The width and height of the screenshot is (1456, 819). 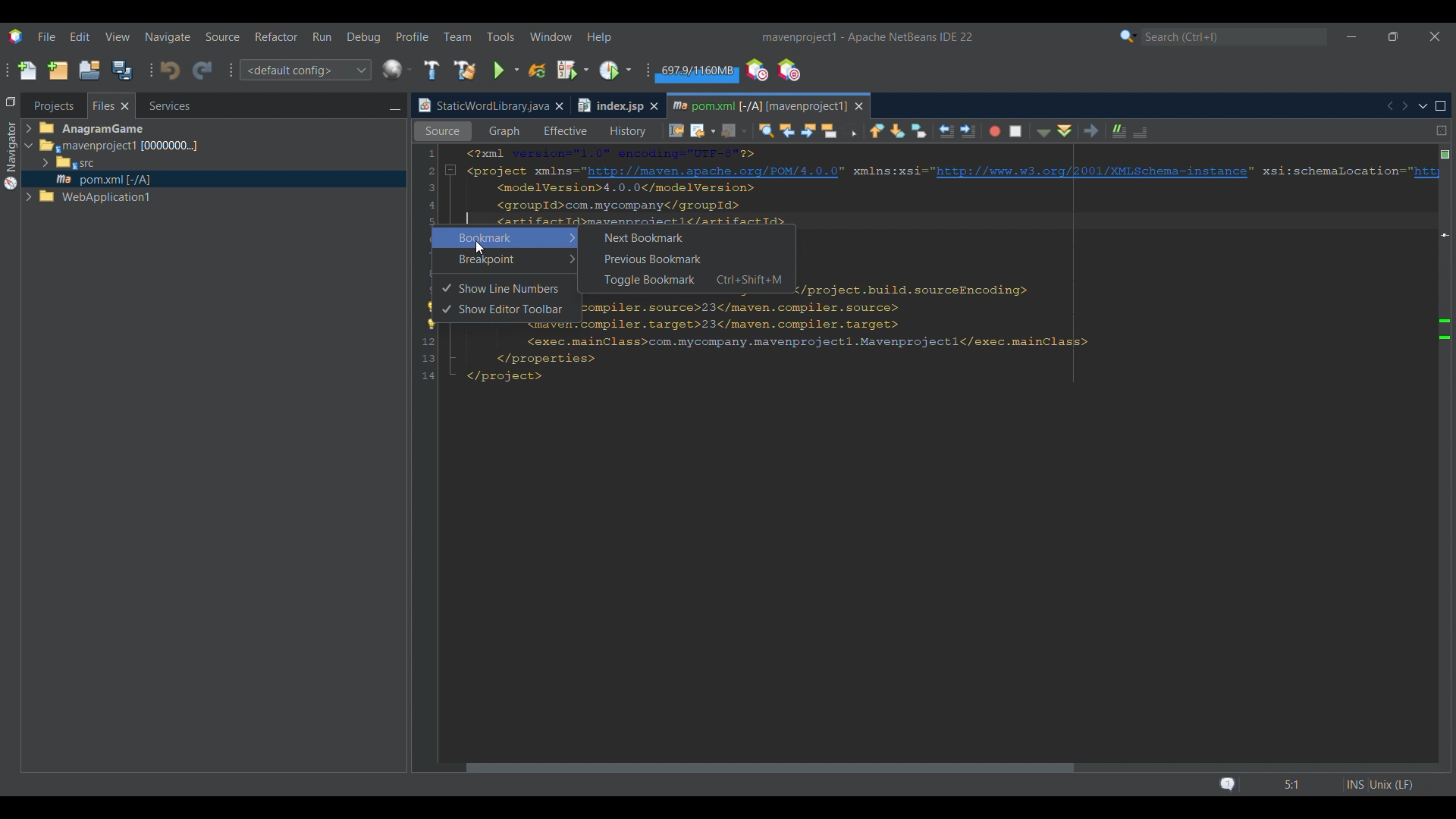 I want to click on Next bookmark, so click(x=899, y=130).